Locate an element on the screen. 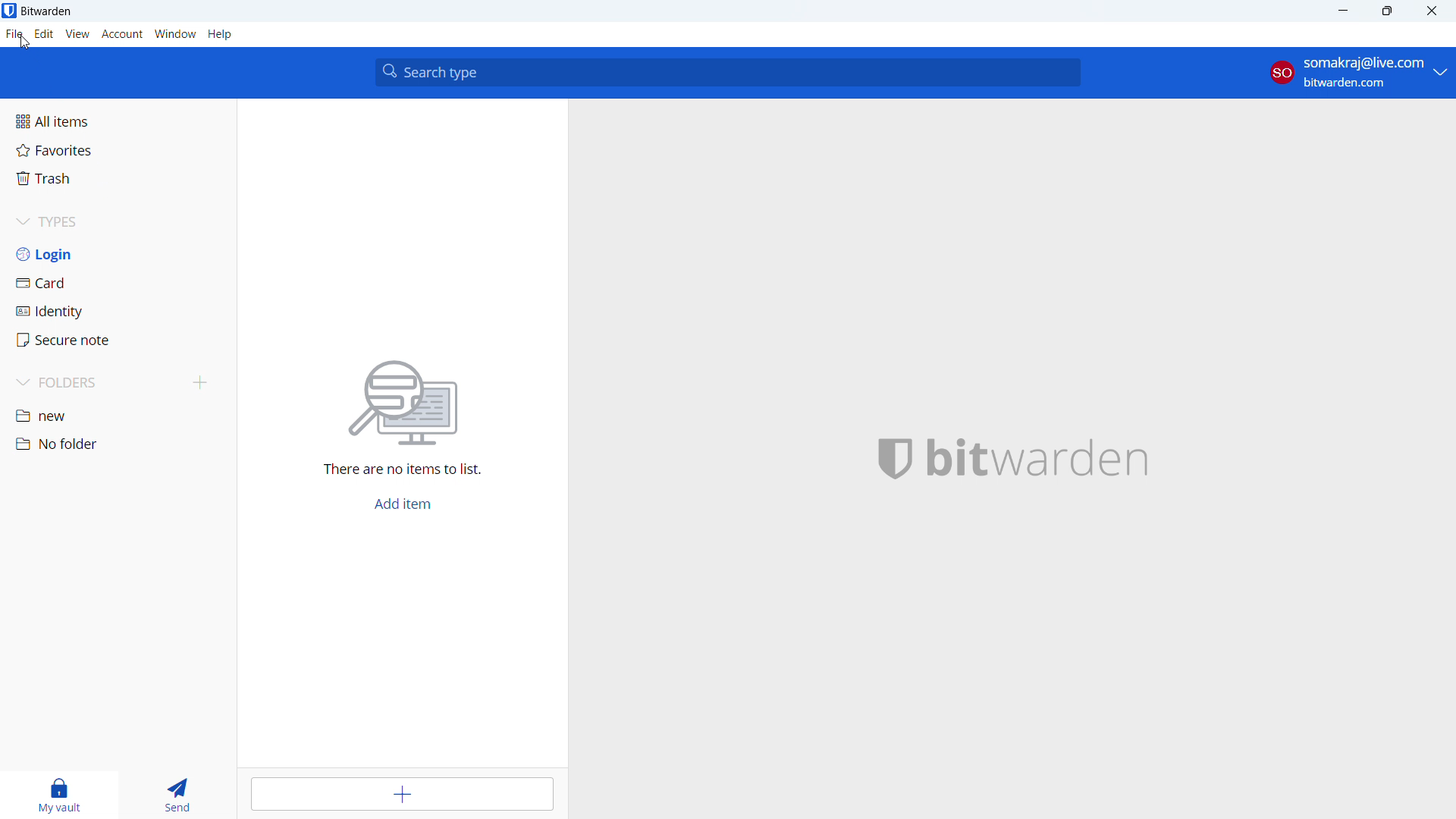 This screenshot has height=819, width=1456. minimize is located at coordinates (1342, 11).